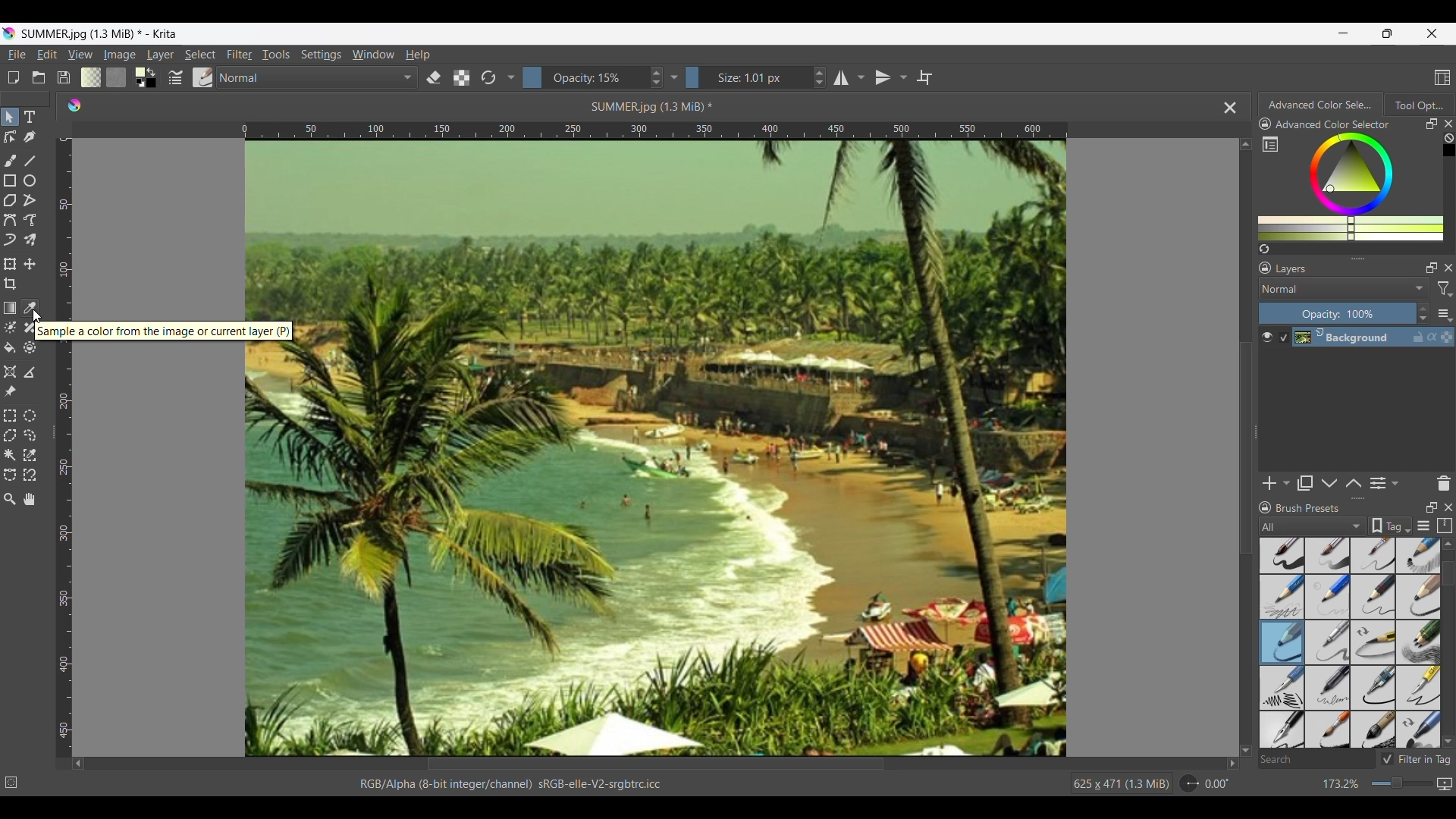 The width and height of the screenshot is (1456, 819). I want to click on Settings dropdown, so click(510, 77).